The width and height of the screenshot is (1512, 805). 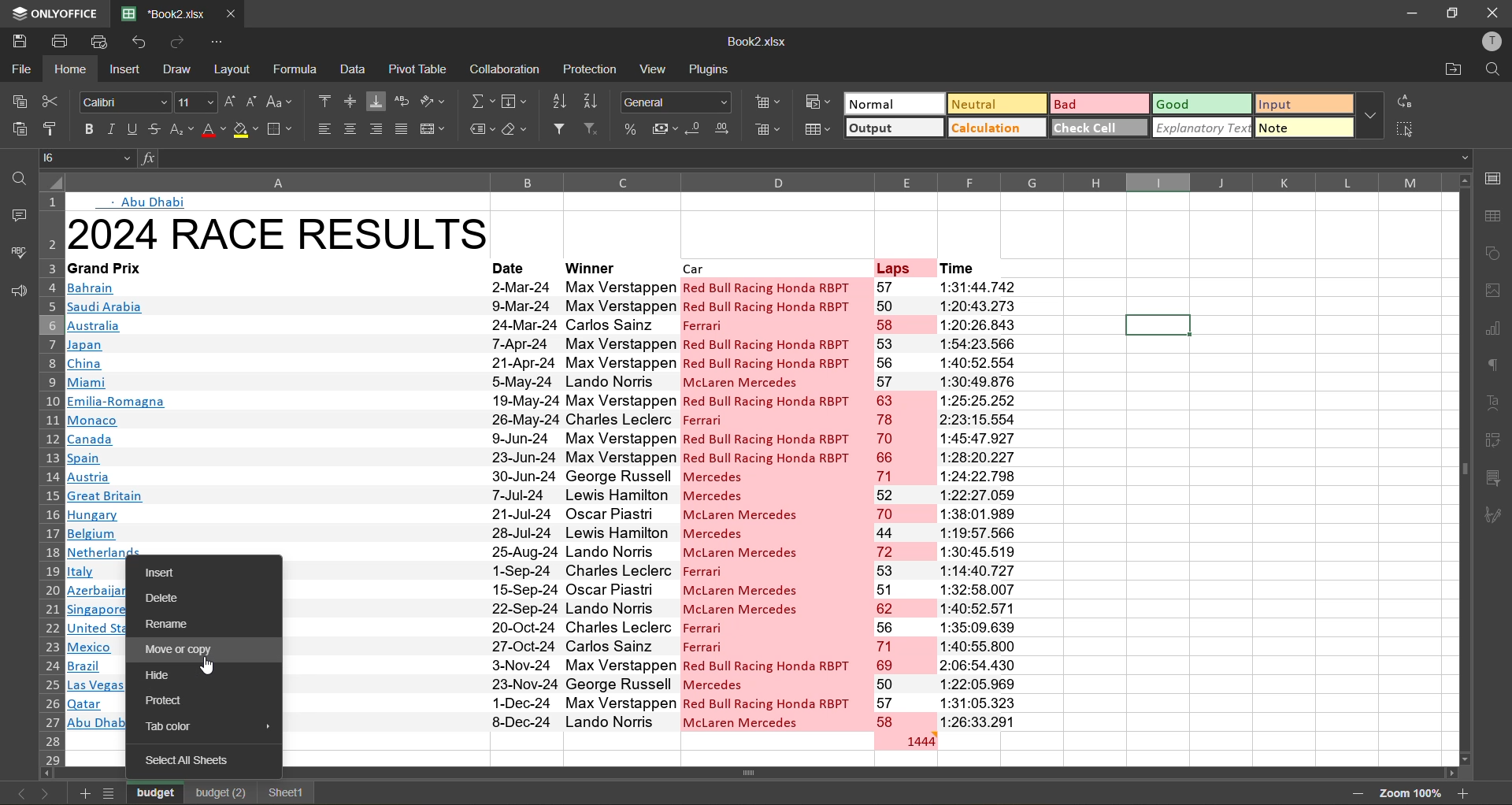 What do you see at coordinates (1495, 254) in the screenshot?
I see `shapes` at bounding box center [1495, 254].